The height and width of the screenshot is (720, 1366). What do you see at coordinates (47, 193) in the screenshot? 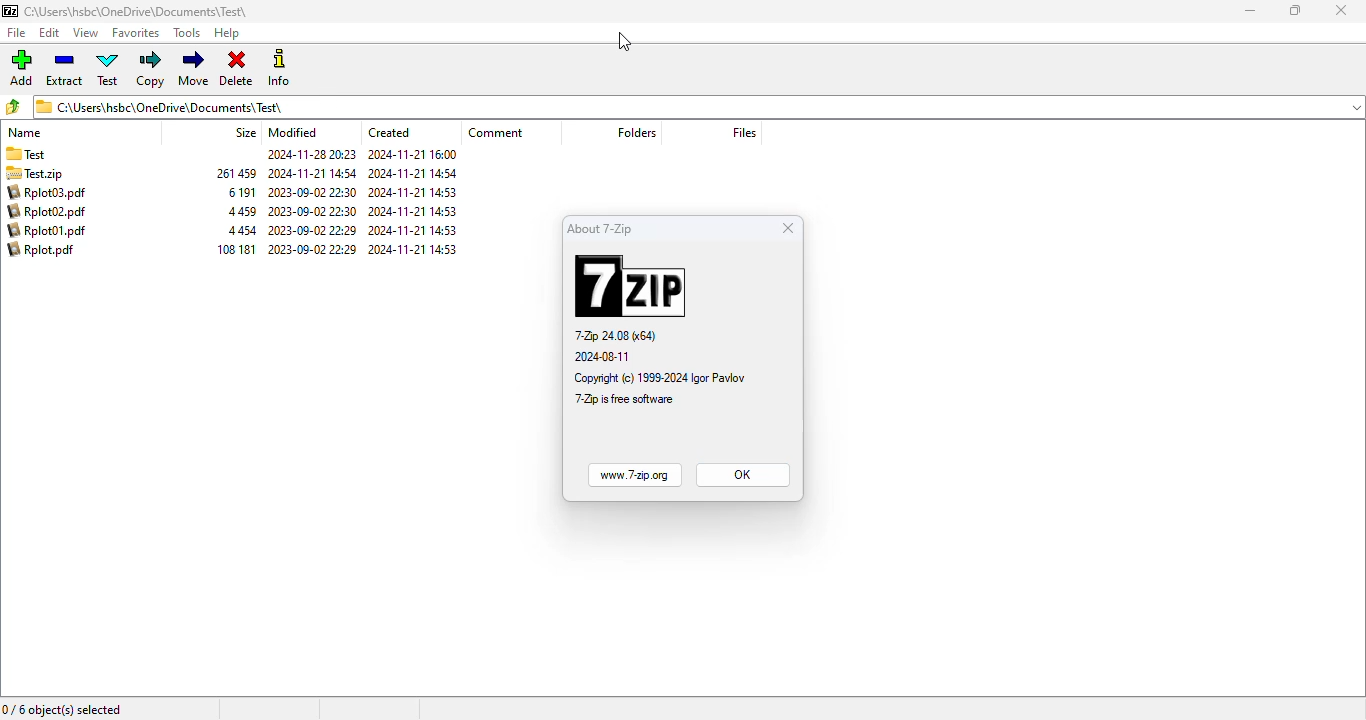
I see `Rplot03.pdf ` at bounding box center [47, 193].